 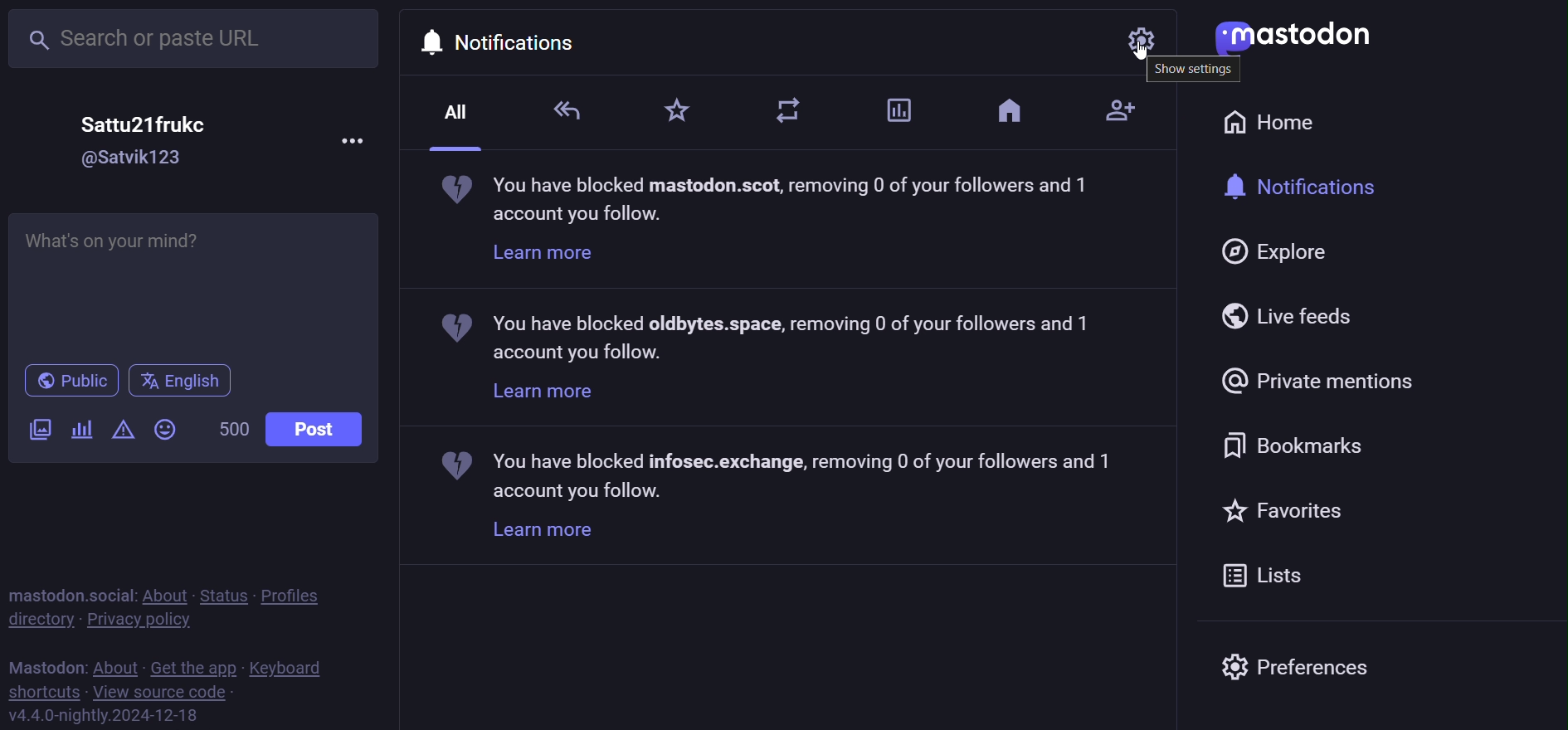 What do you see at coordinates (162, 693) in the screenshot?
I see `view source code` at bounding box center [162, 693].